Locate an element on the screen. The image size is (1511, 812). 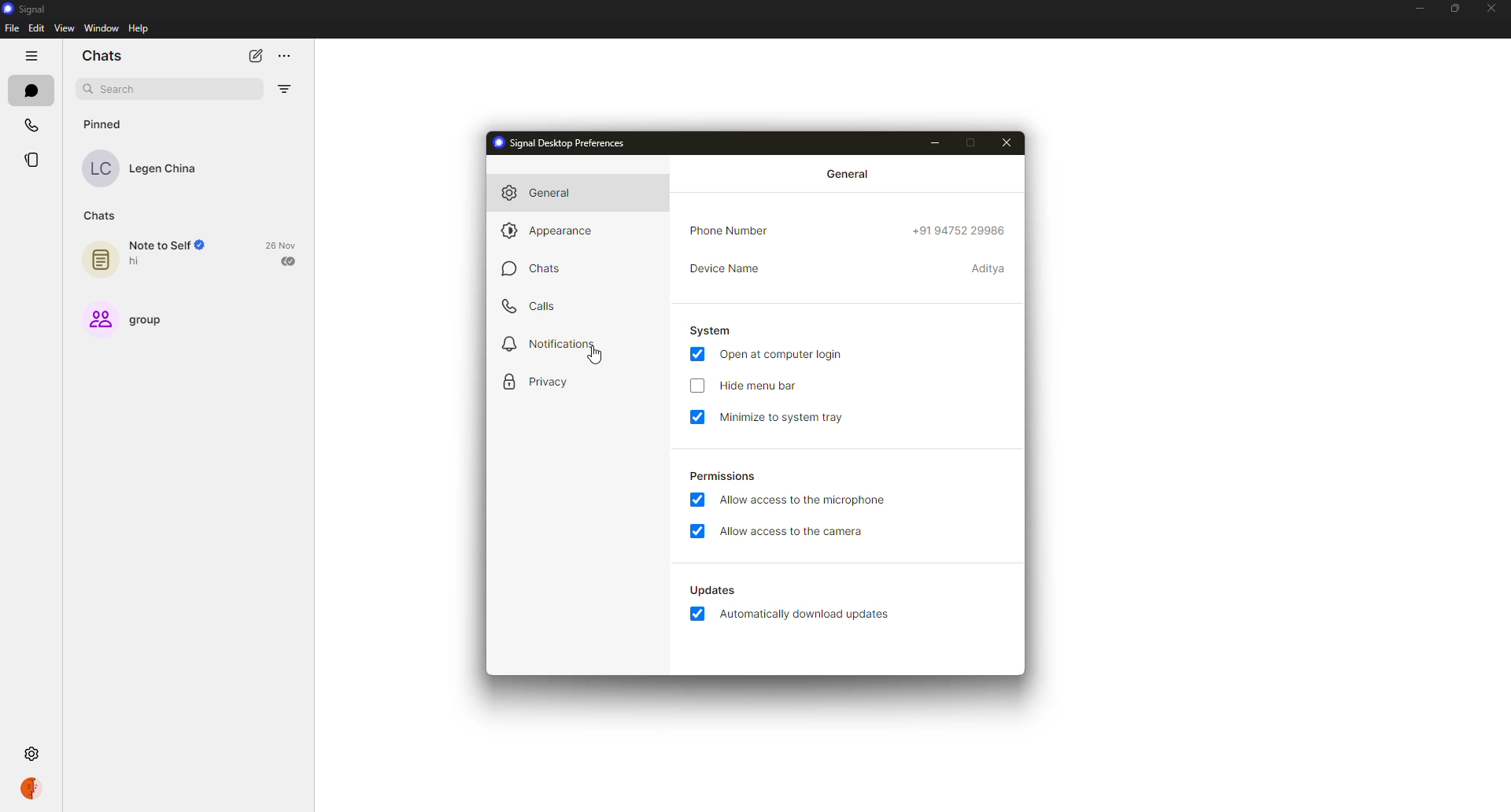
enabled is located at coordinates (696, 530).